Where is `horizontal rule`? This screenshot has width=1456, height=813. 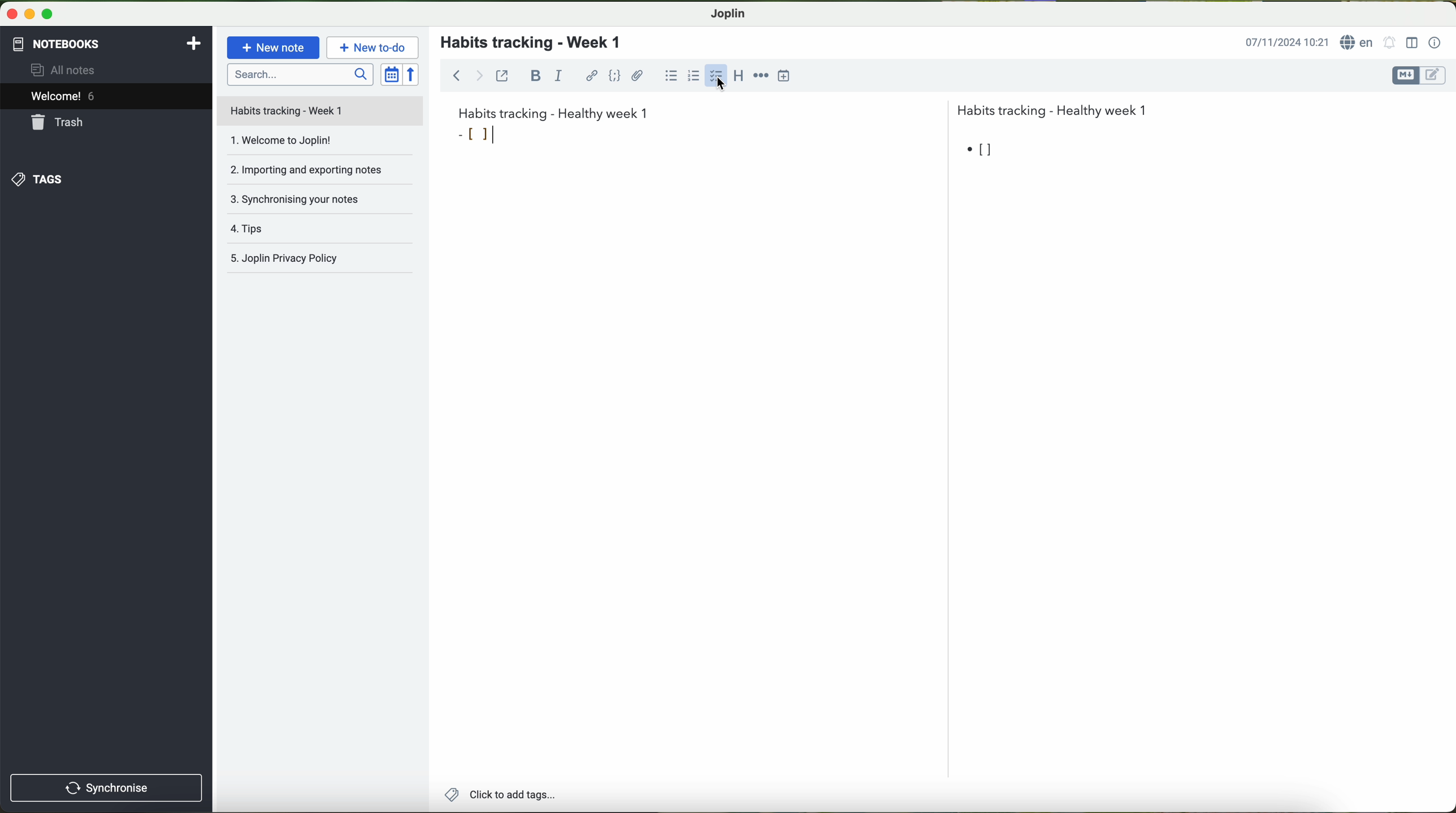 horizontal rule is located at coordinates (761, 76).